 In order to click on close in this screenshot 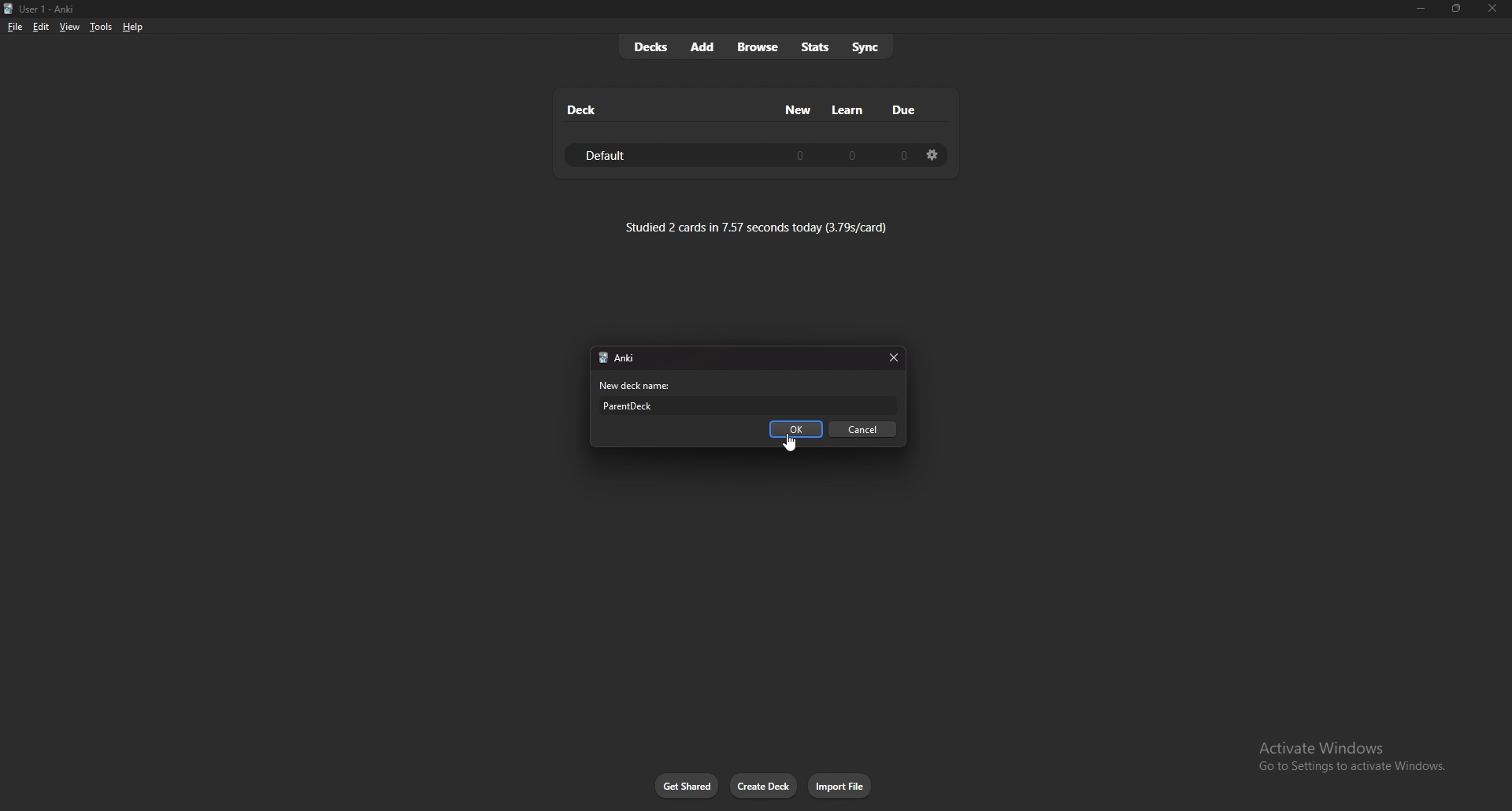, I will do `click(892, 358)`.